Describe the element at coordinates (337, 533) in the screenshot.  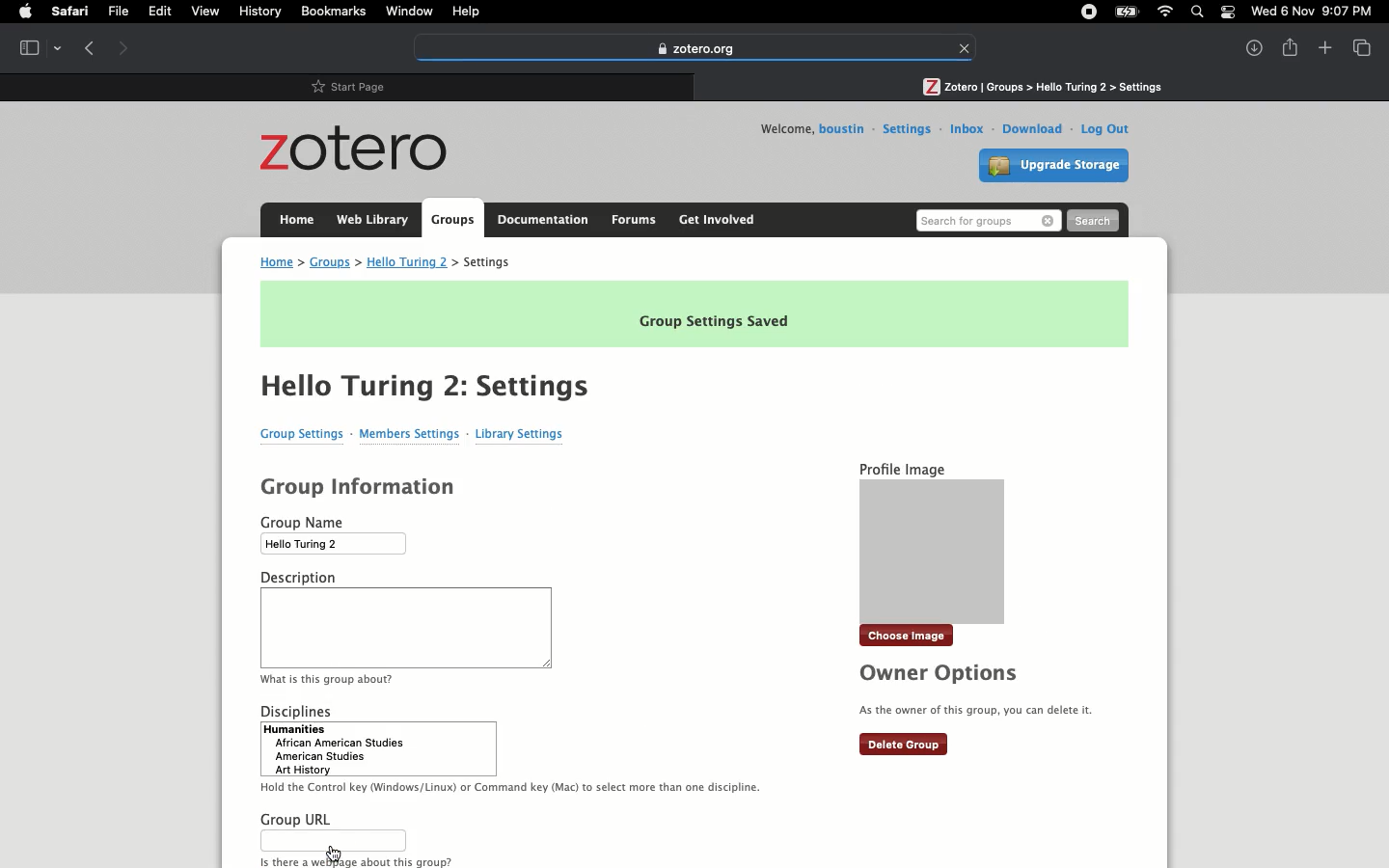
I see `Group name` at that location.